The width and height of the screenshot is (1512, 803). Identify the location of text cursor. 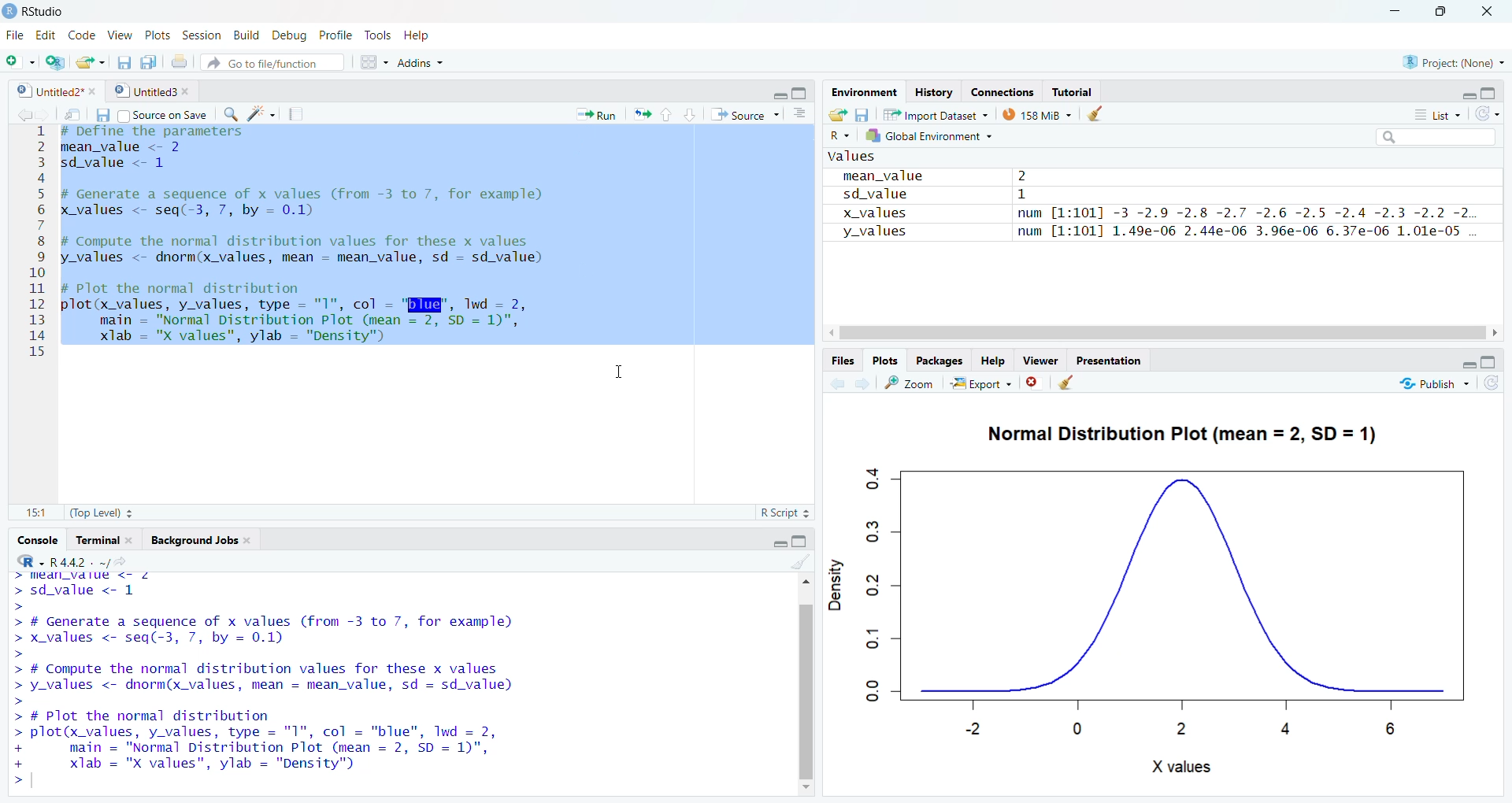
(617, 373).